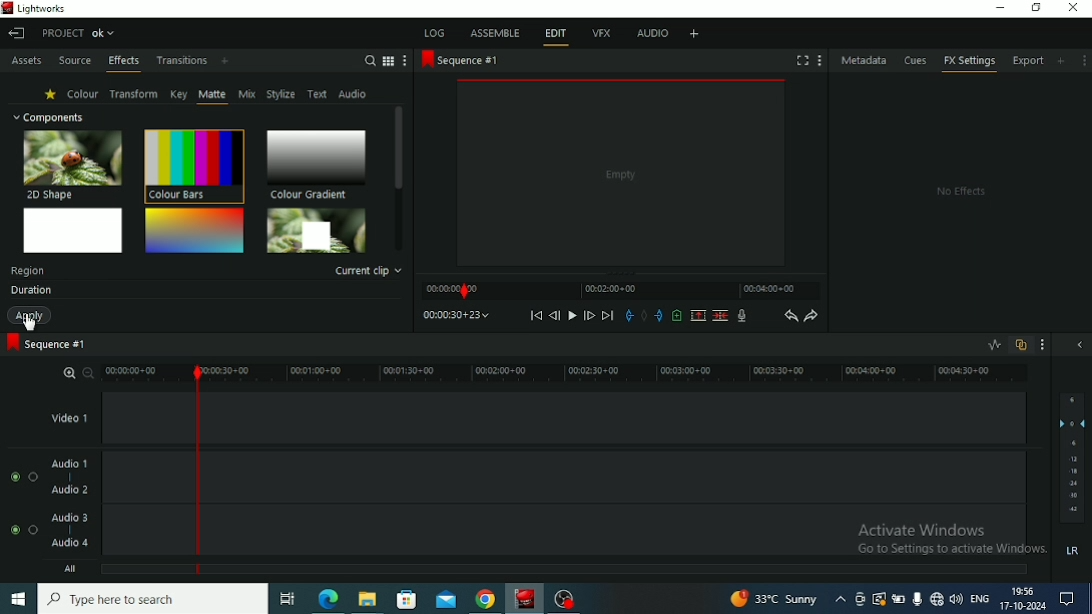  What do you see at coordinates (1071, 478) in the screenshot?
I see `Audio Output level` at bounding box center [1071, 478].